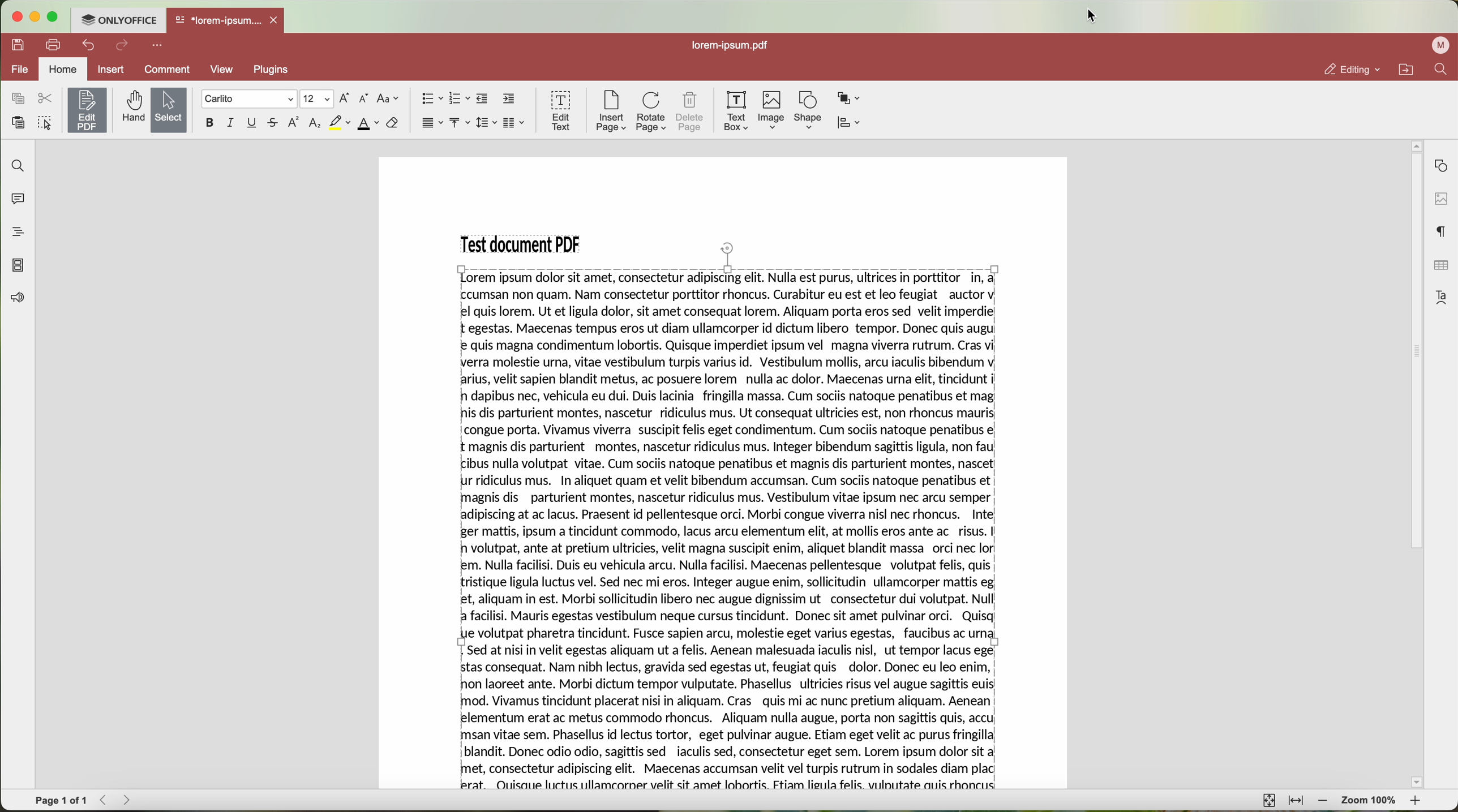 Image resolution: width=1458 pixels, height=812 pixels. What do you see at coordinates (18, 198) in the screenshot?
I see `comments` at bounding box center [18, 198].